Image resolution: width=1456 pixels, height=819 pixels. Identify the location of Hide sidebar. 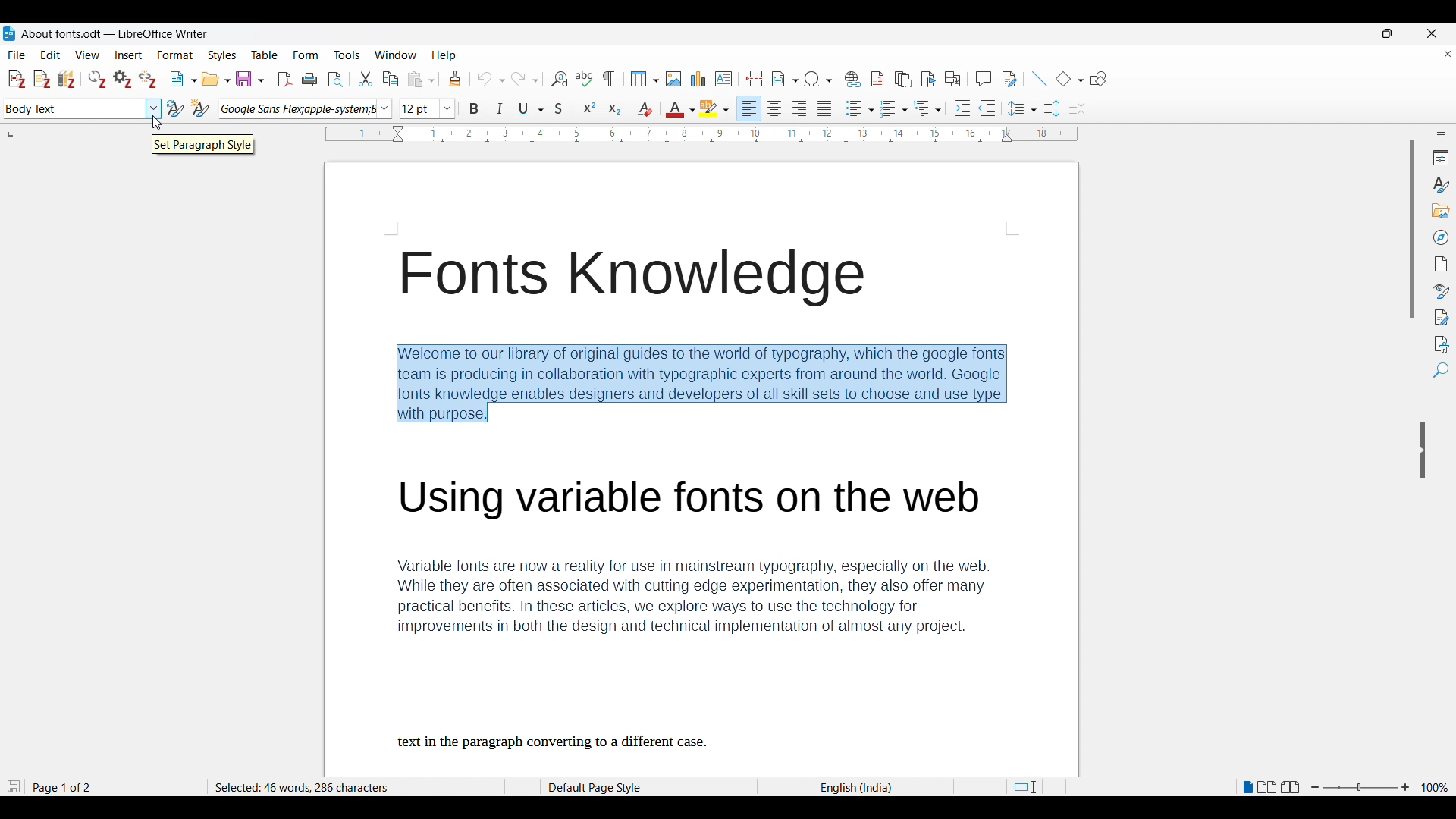
(1423, 450).